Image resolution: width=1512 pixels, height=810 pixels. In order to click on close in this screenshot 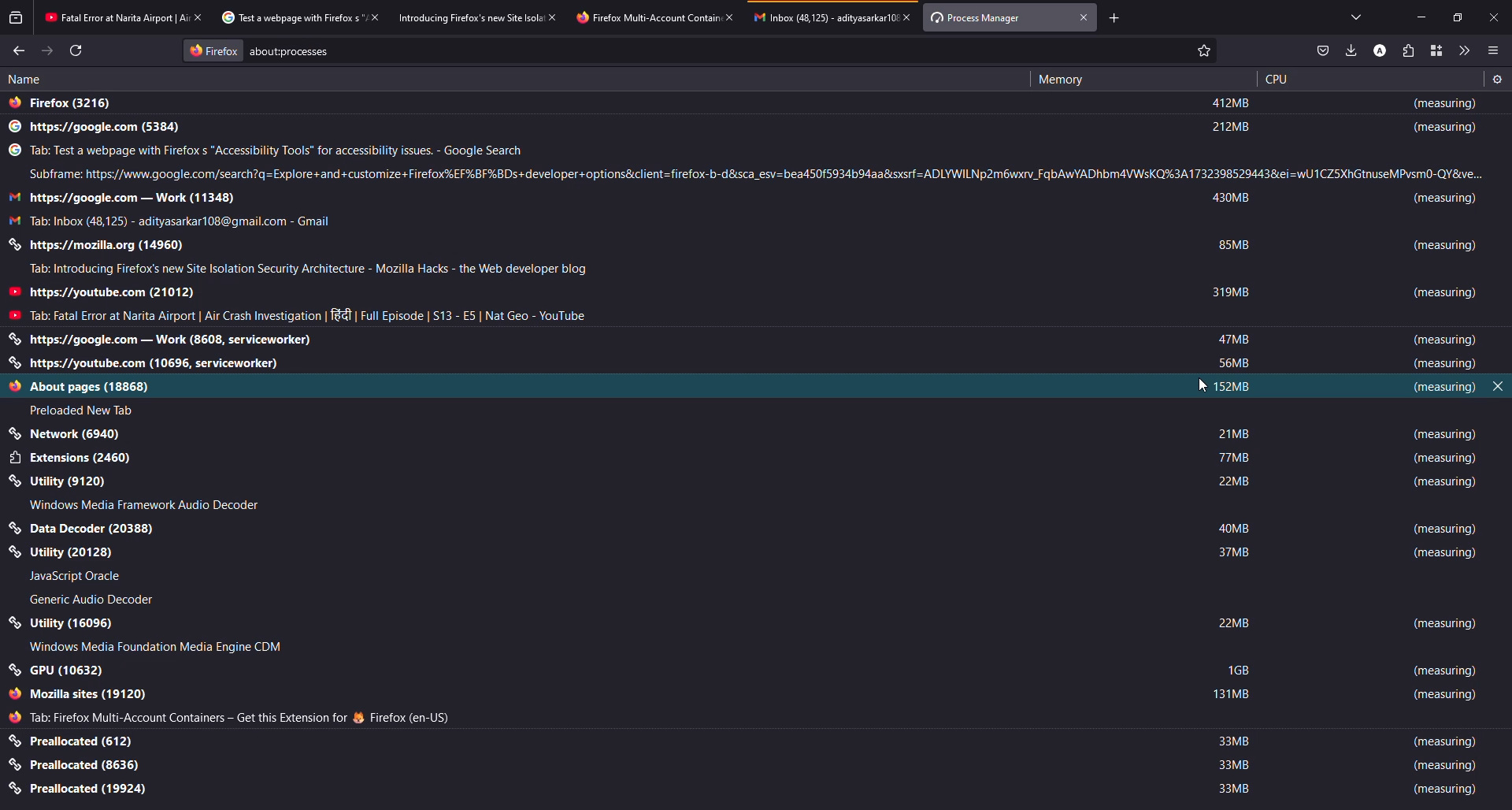, I will do `click(1493, 18)`.